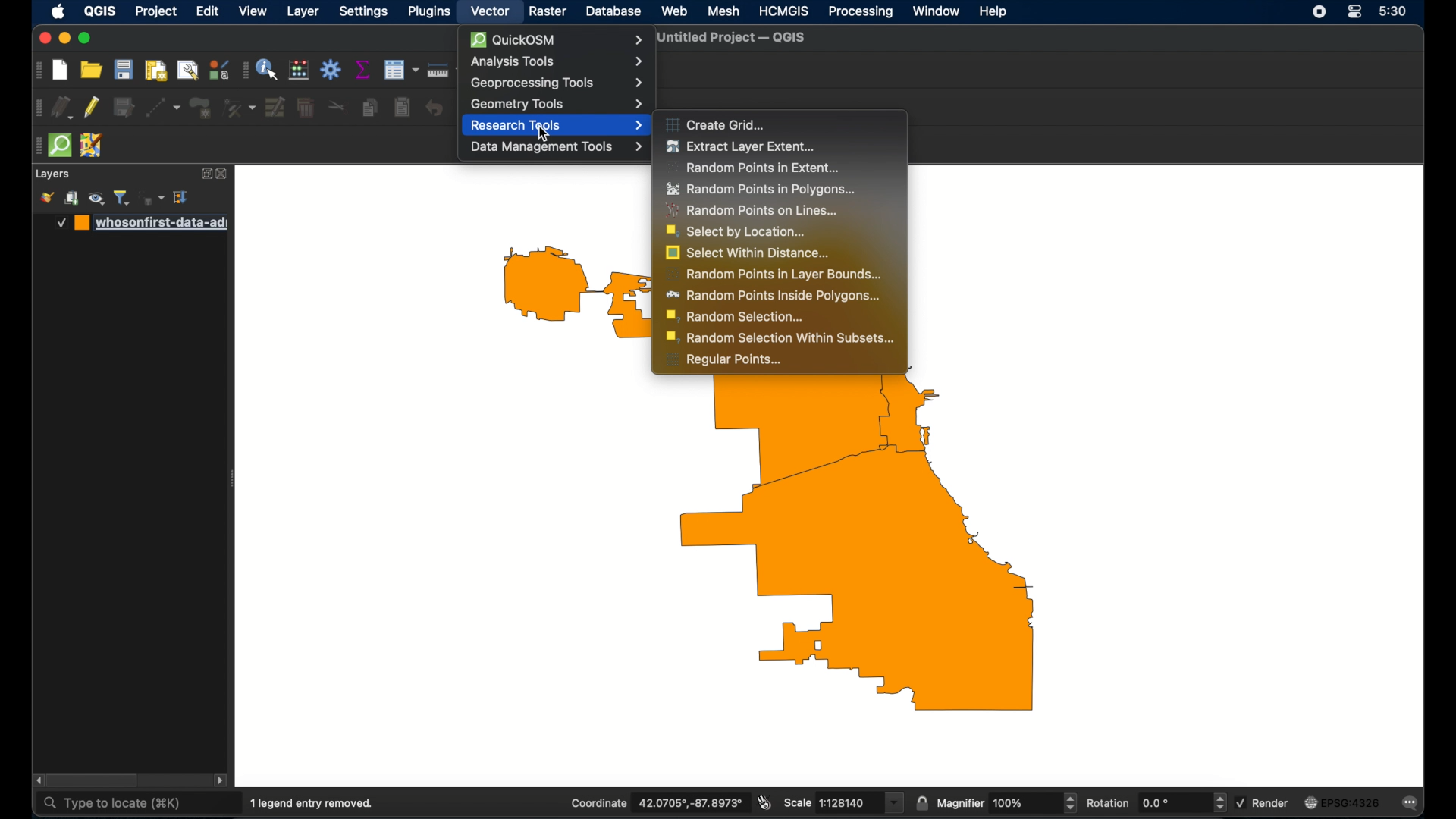 Image resolution: width=1456 pixels, height=819 pixels. I want to click on lock scale, so click(921, 803).